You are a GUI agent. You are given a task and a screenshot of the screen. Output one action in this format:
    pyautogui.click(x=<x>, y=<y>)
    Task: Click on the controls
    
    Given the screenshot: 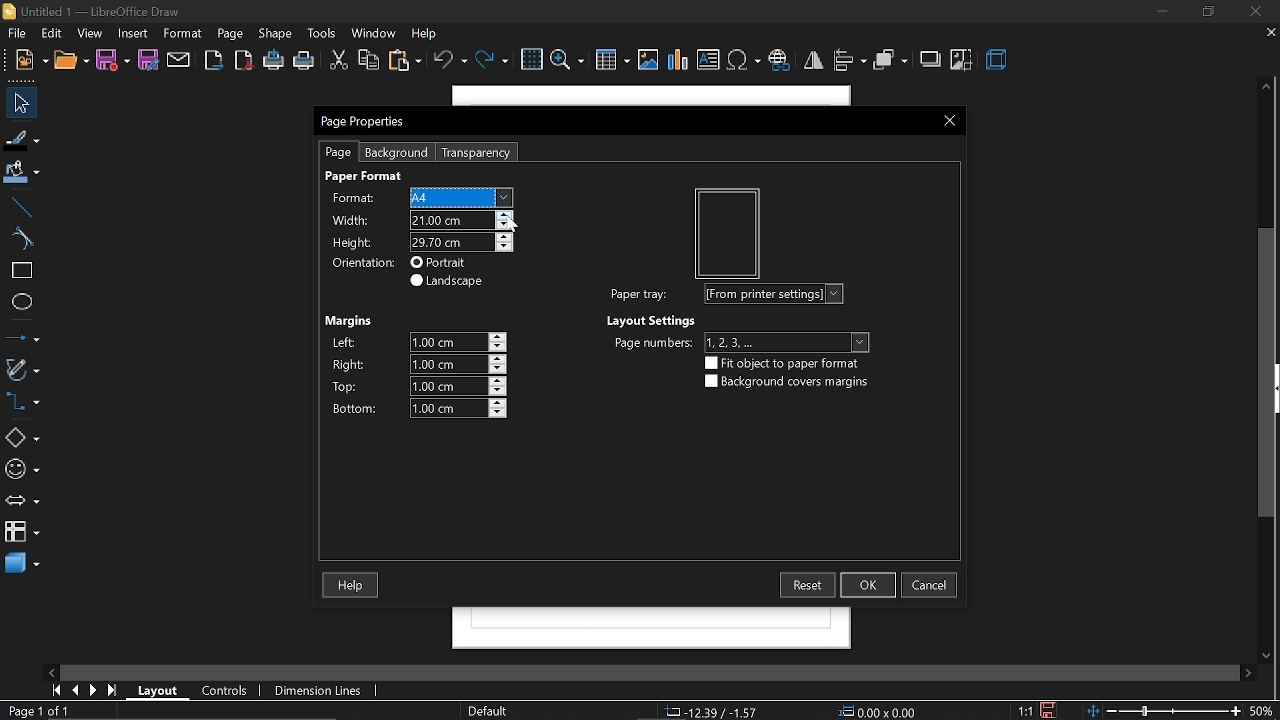 What is the action you would take?
    pyautogui.click(x=225, y=689)
    